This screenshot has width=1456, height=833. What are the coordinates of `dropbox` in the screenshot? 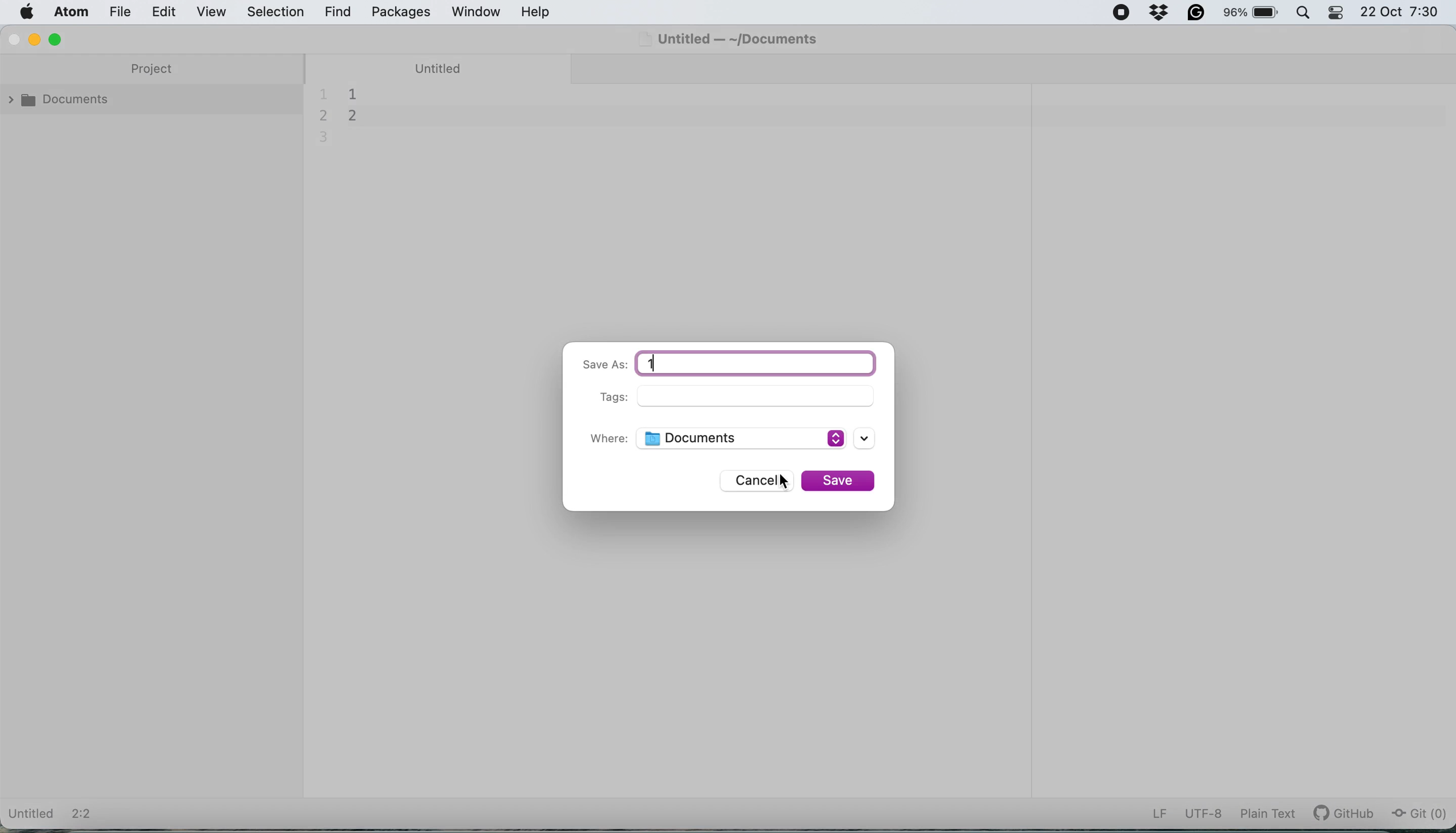 It's located at (1157, 15).